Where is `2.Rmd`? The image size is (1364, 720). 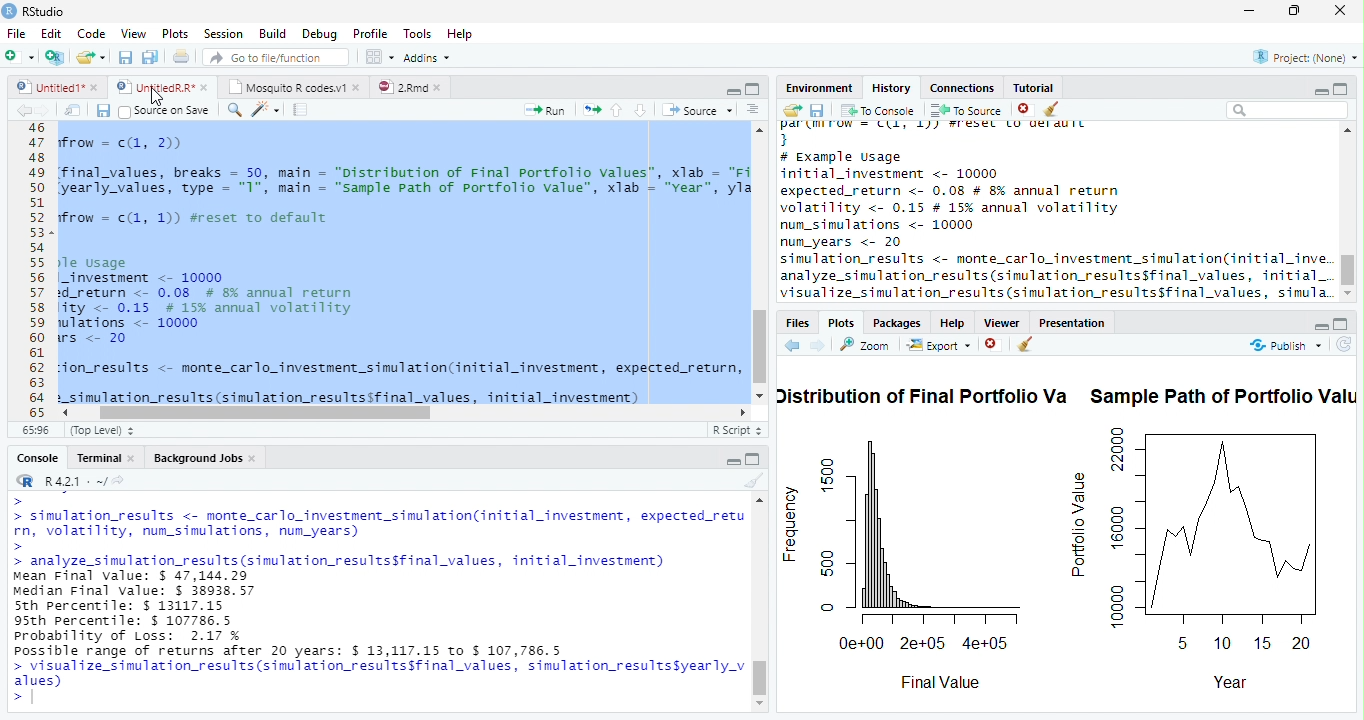 2.Rmd is located at coordinates (410, 87).